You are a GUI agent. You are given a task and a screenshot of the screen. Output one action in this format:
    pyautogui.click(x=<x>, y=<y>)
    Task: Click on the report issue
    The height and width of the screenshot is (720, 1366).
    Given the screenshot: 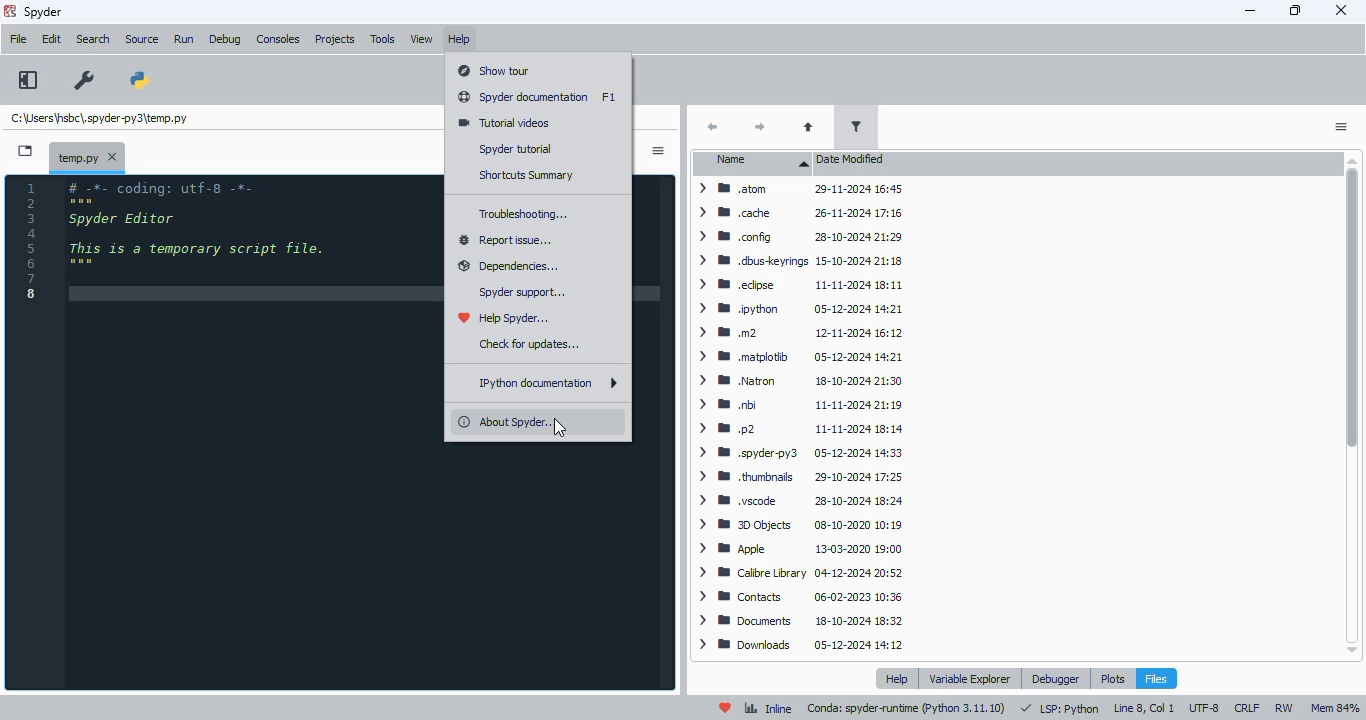 What is the action you would take?
    pyautogui.click(x=506, y=241)
    